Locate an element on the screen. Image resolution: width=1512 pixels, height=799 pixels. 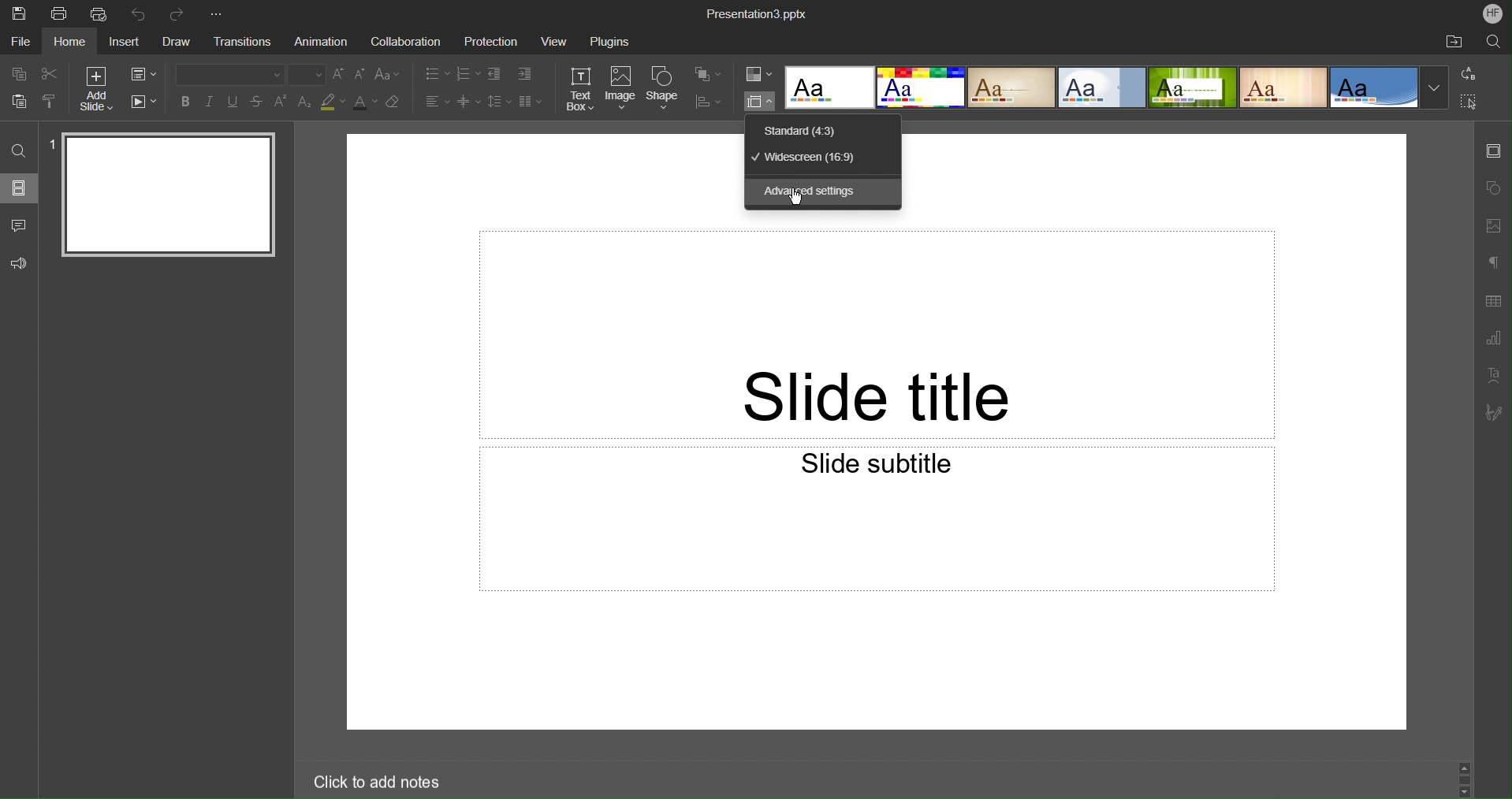
Protection is located at coordinates (493, 43).